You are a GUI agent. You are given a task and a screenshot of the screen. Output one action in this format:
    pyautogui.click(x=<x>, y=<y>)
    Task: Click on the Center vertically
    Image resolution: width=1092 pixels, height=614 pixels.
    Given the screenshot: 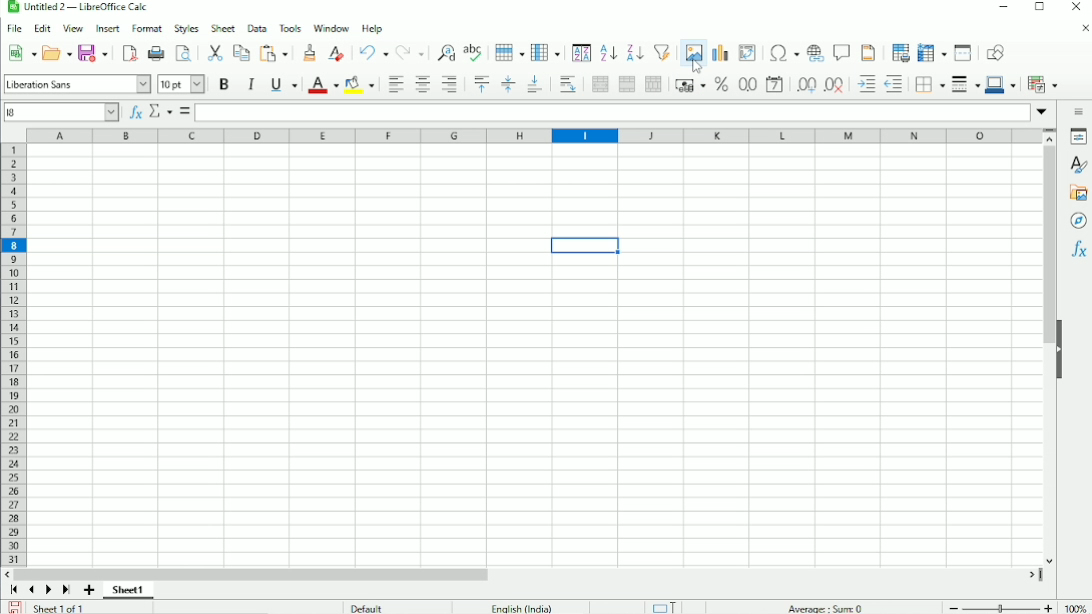 What is the action you would take?
    pyautogui.click(x=506, y=84)
    